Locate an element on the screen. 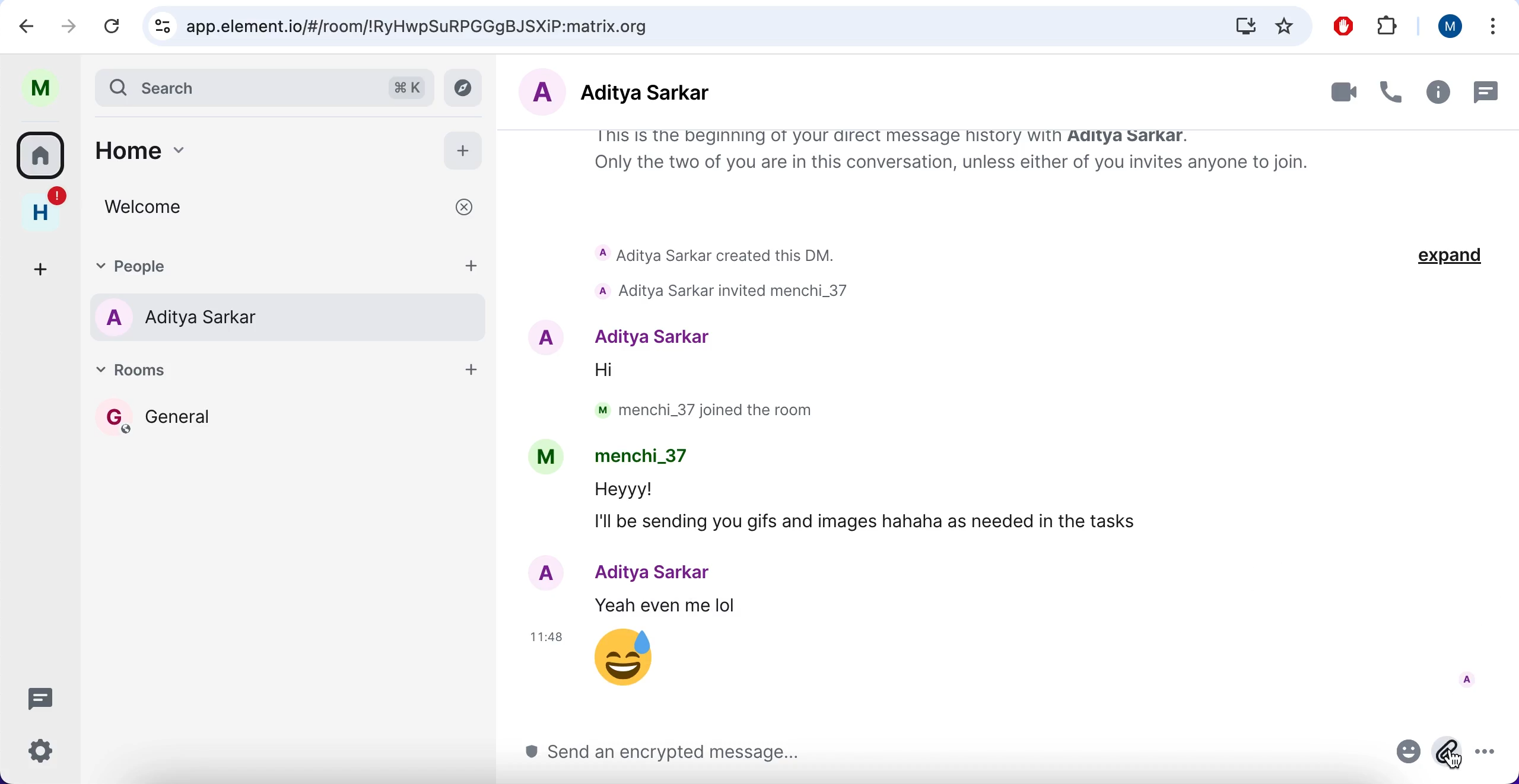  videocall is located at coordinates (1334, 91).